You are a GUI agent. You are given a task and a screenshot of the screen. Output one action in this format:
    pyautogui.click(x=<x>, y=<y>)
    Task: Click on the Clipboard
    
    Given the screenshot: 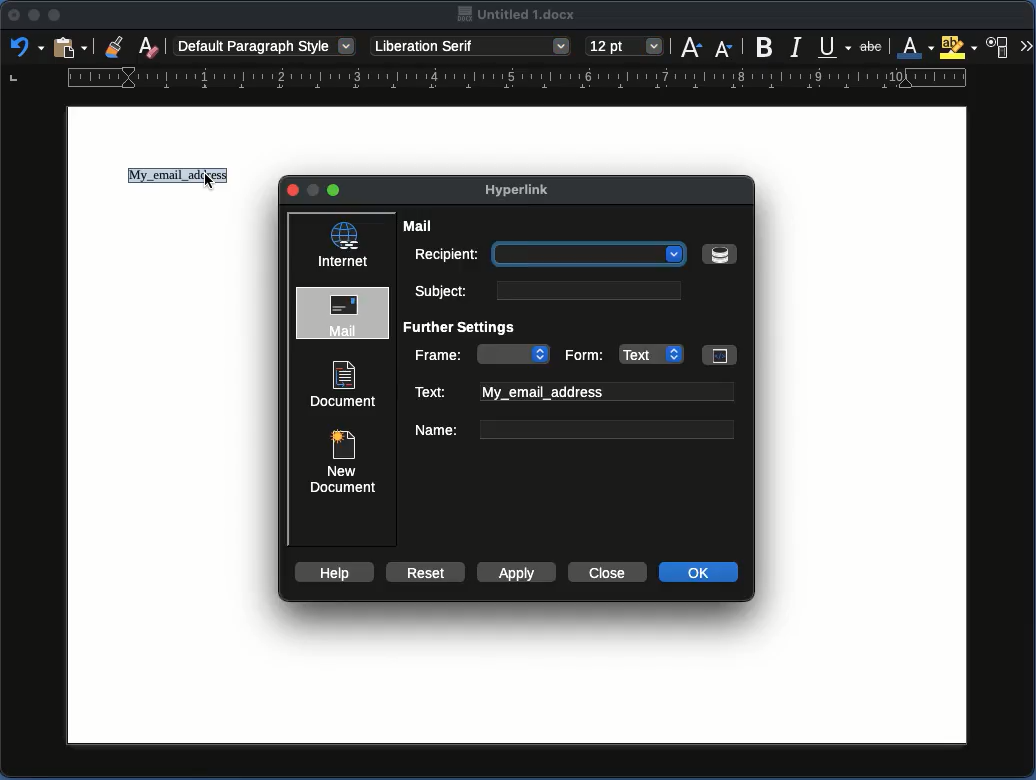 What is the action you would take?
    pyautogui.click(x=69, y=49)
    